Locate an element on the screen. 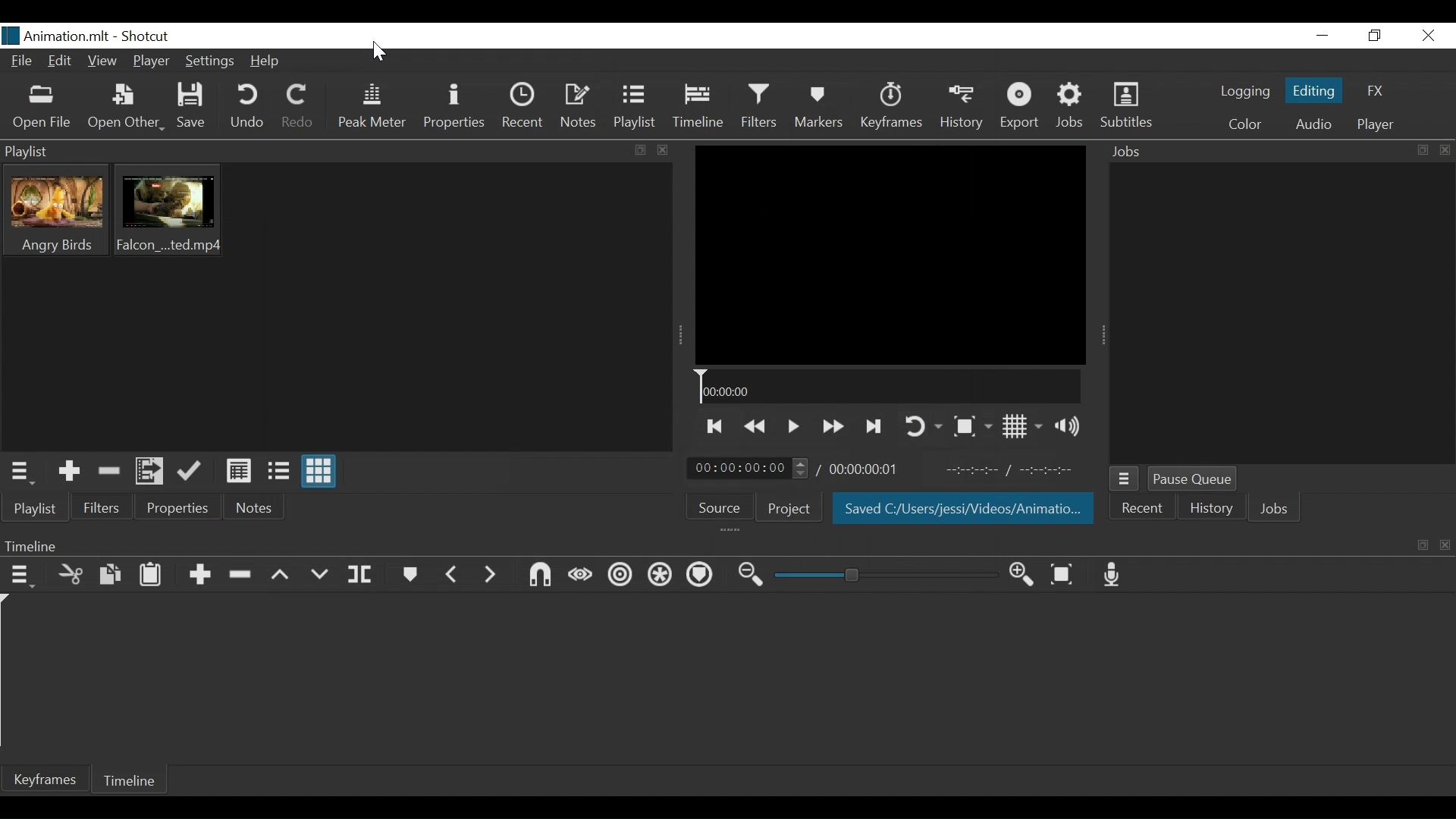 Image resolution: width=1456 pixels, height=819 pixels. Current position is located at coordinates (749, 467).